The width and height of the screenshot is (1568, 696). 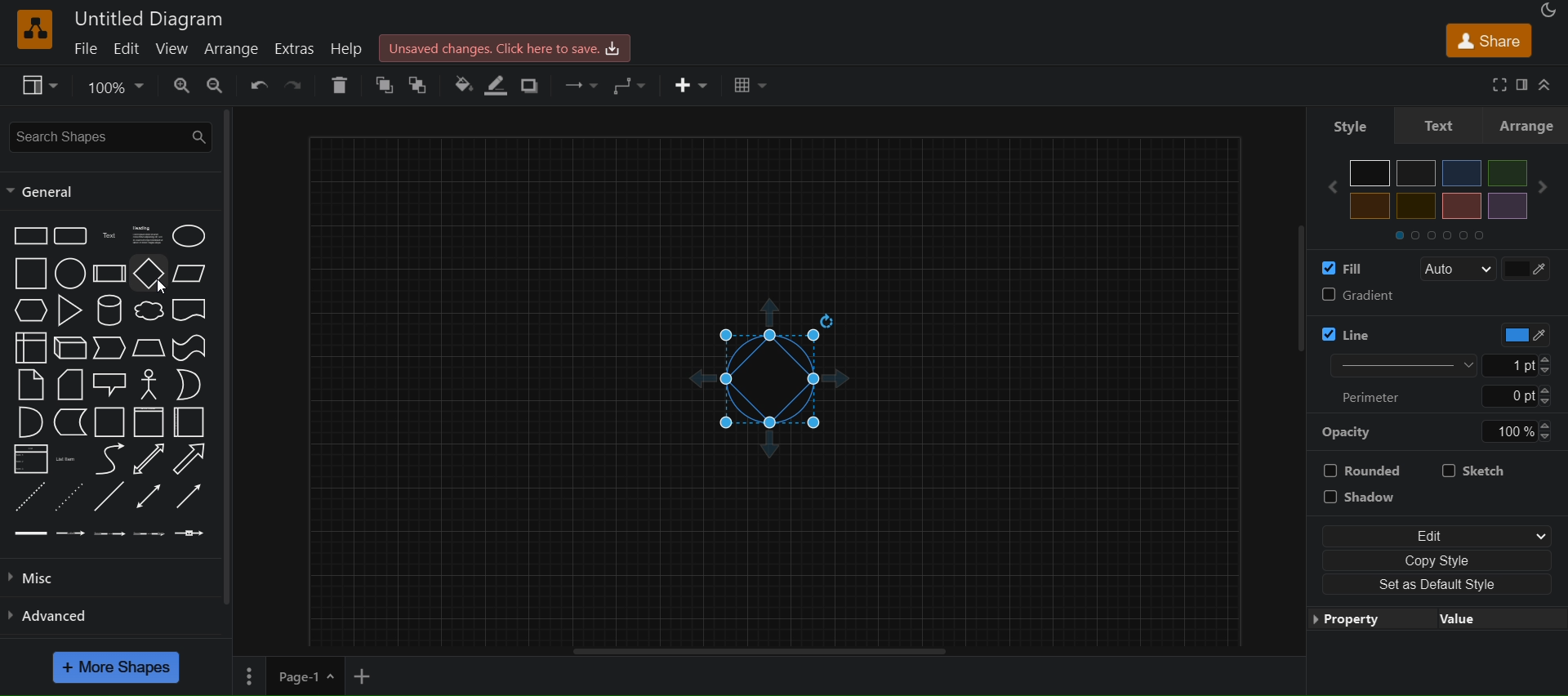 What do you see at coordinates (1415, 206) in the screenshot?
I see `light yellow color` at bounding box center [1415, 206].